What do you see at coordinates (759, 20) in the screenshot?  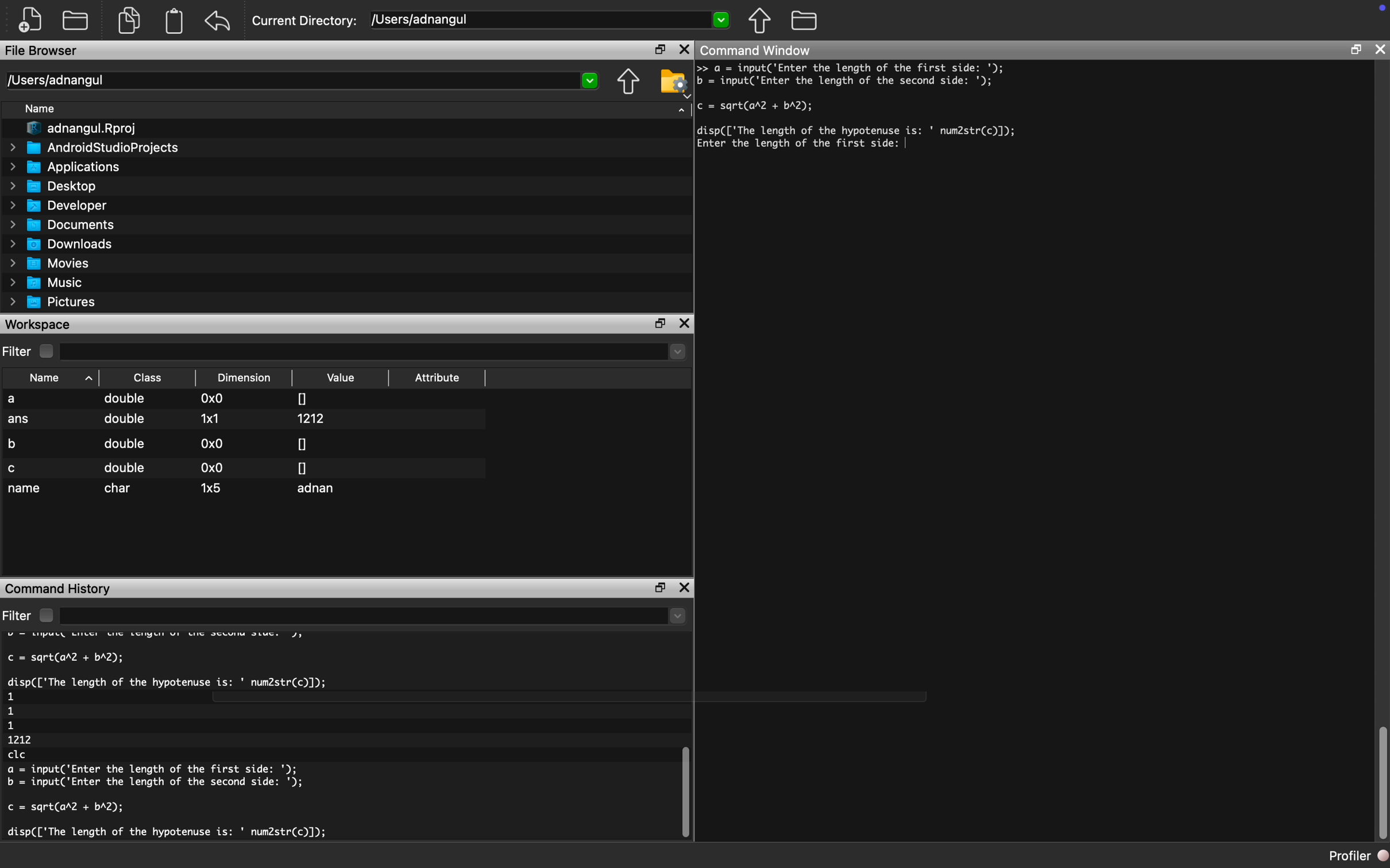 I see `move up` at bounding box center [759, 20].